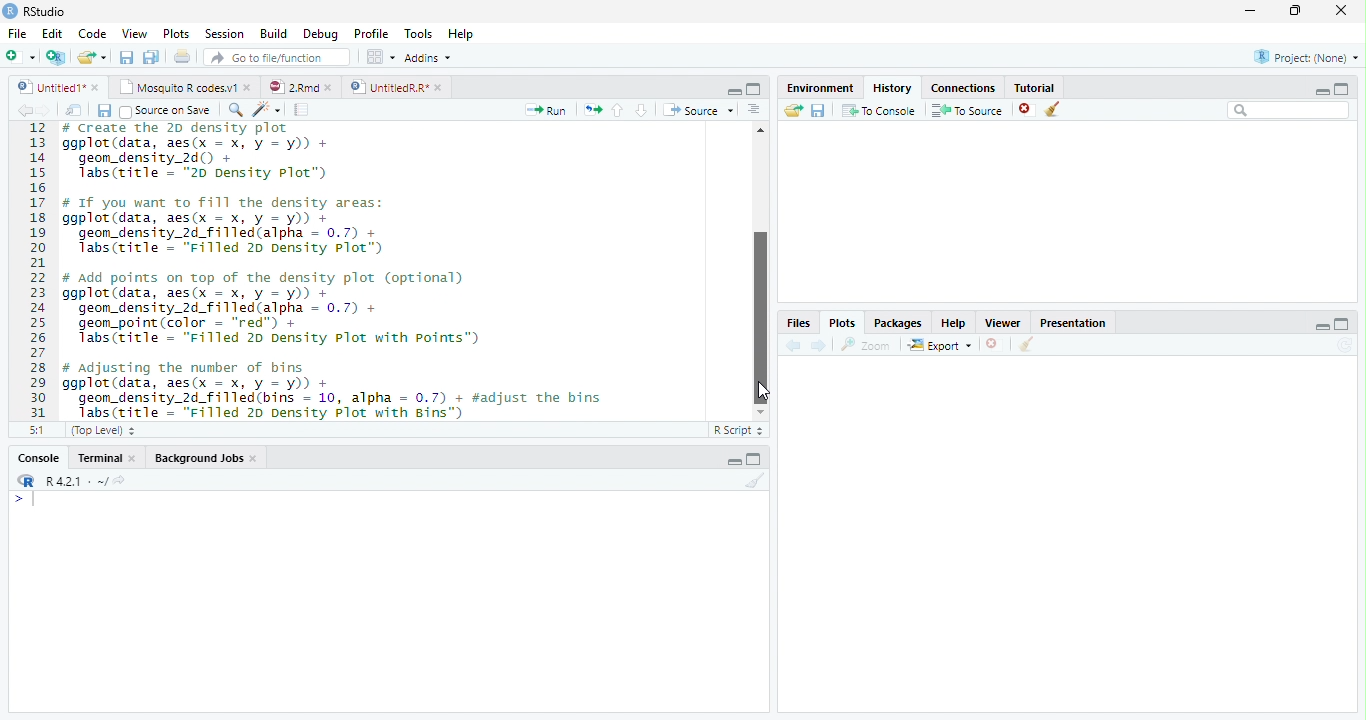 The image size is (1366, 720). I want to click on ‘Mosquito R codes.v1, so click(178, 87).